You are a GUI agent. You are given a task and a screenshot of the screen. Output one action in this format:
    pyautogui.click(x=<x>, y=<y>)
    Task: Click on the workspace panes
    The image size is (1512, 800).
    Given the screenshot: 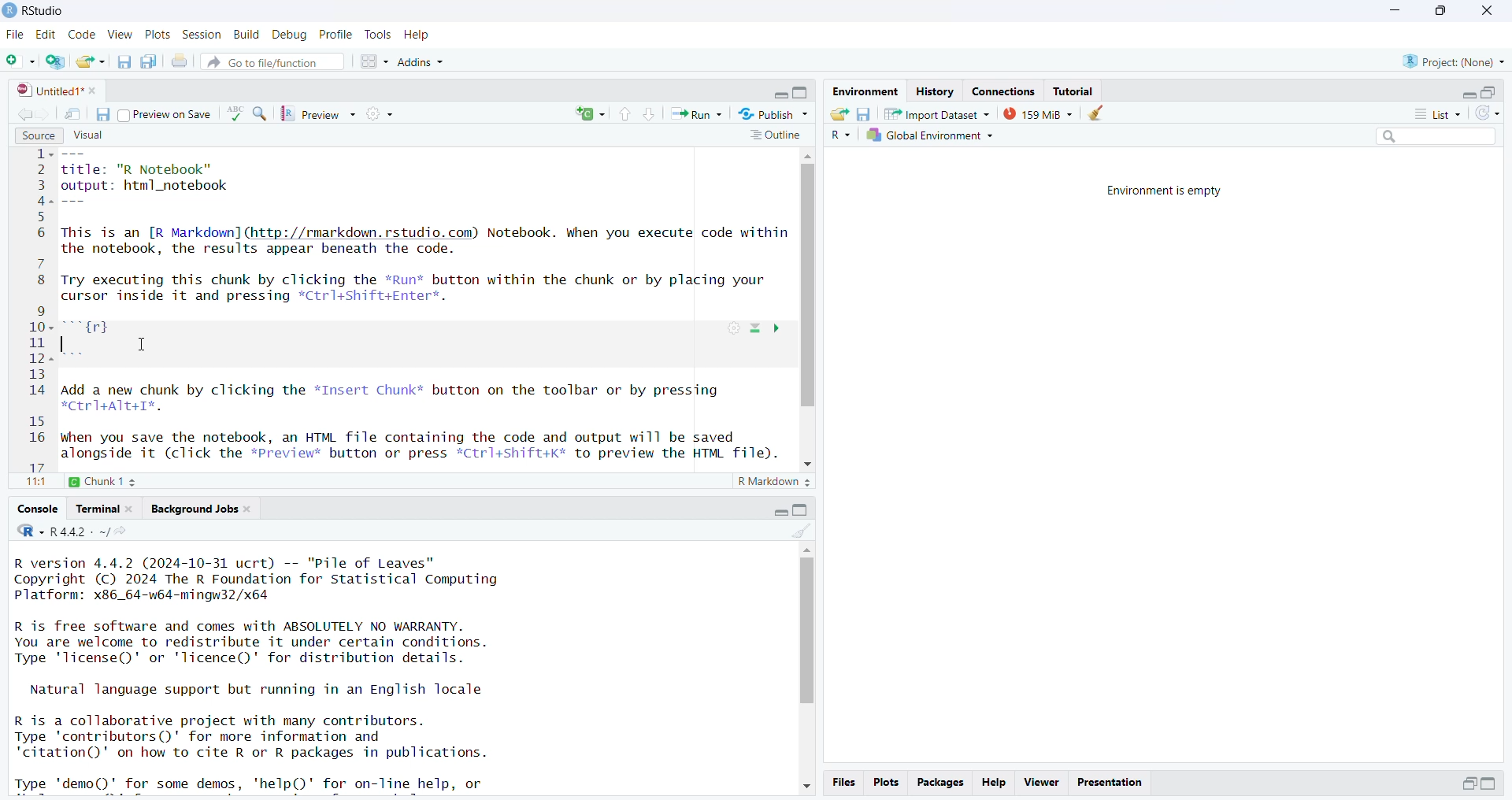 What is the action you would take?
    pyautogui.click(x=375, y=61)
    